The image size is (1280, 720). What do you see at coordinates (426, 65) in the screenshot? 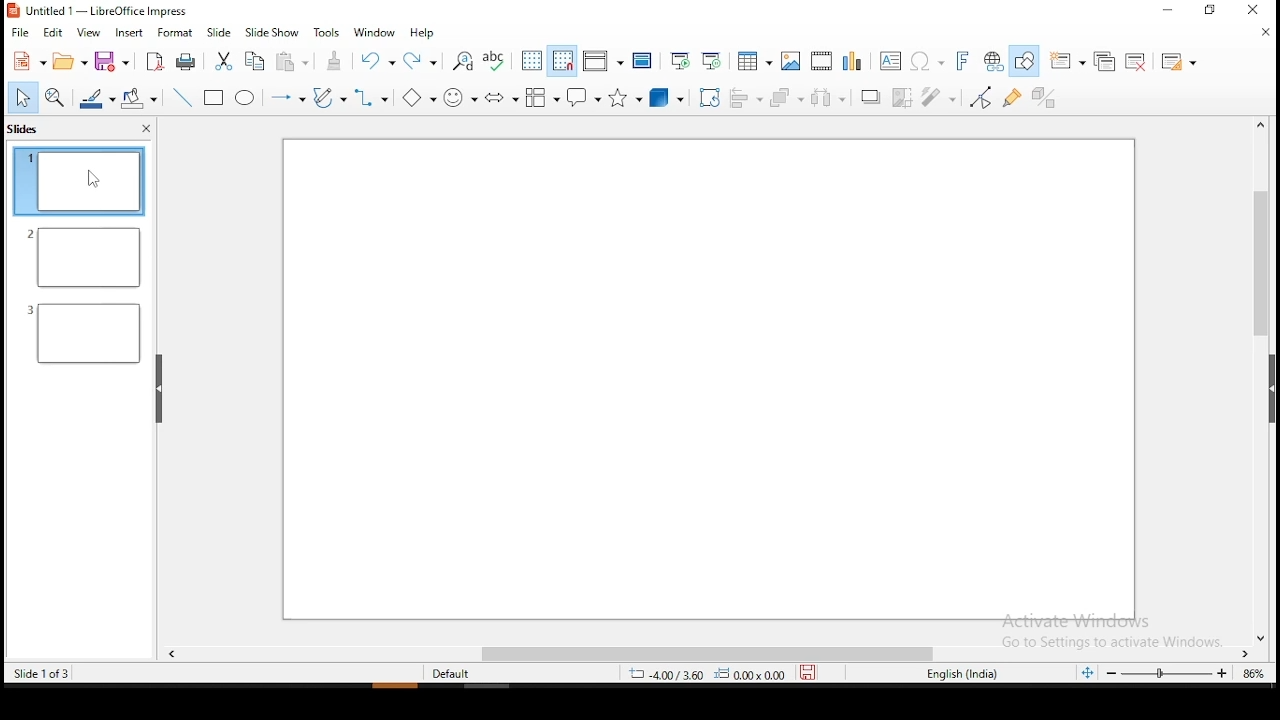
I see `redo` at bounding box center [426, 65].